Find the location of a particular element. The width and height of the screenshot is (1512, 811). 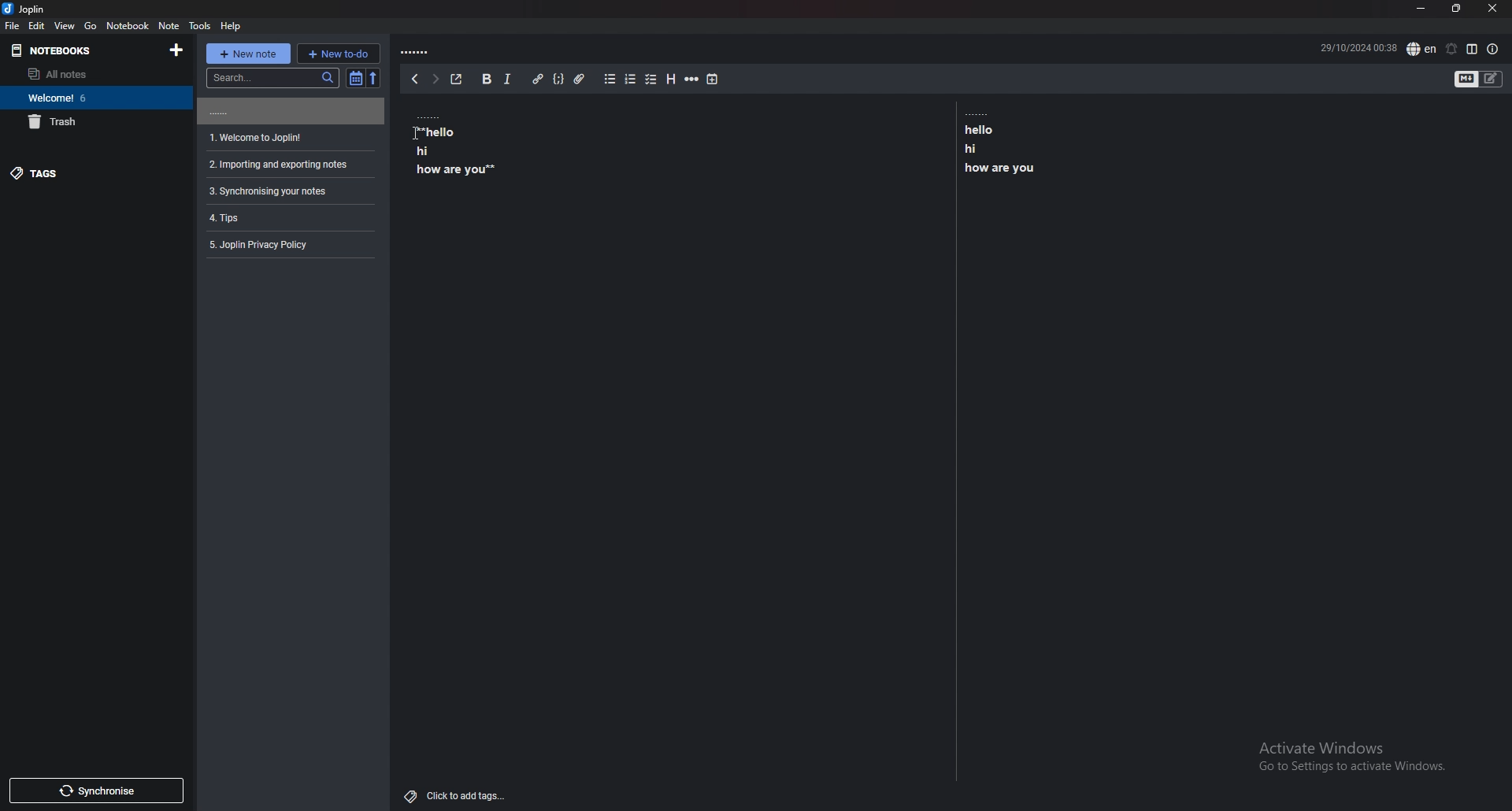

new note is located at coordinates (246, 54).